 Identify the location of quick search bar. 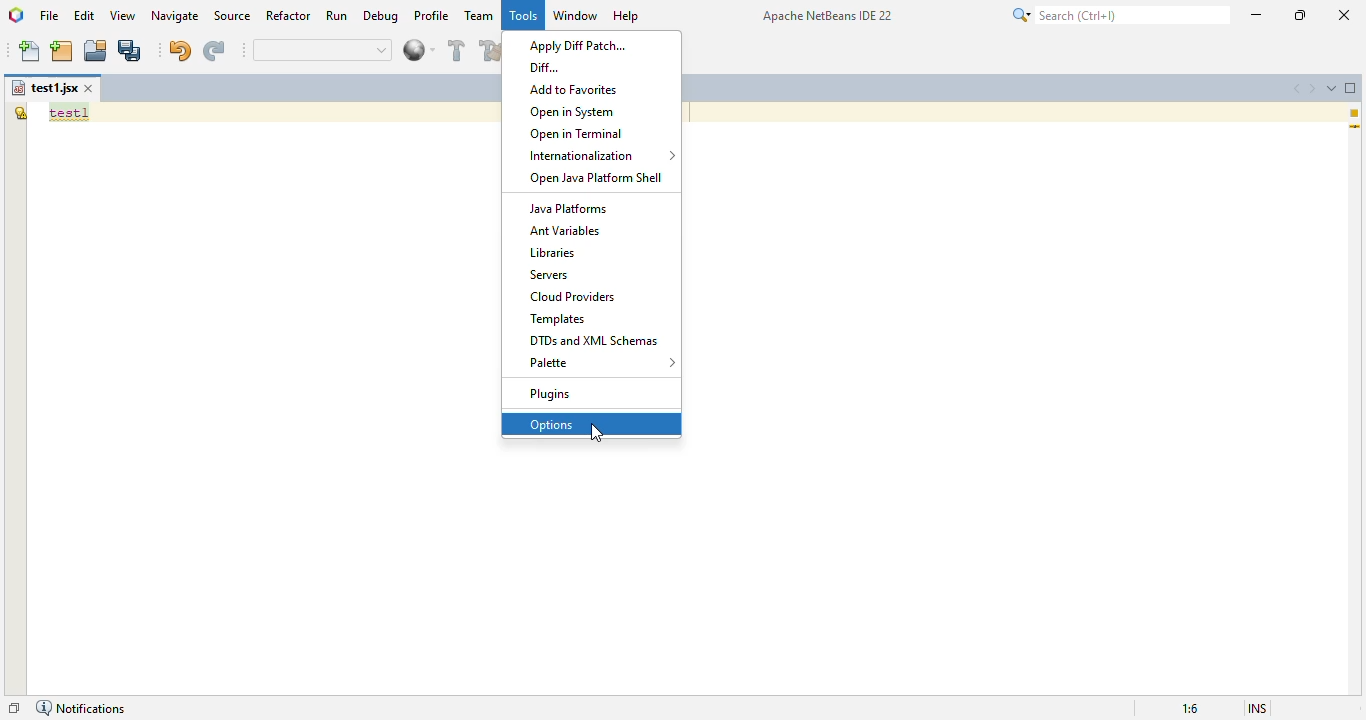
(324, 50).